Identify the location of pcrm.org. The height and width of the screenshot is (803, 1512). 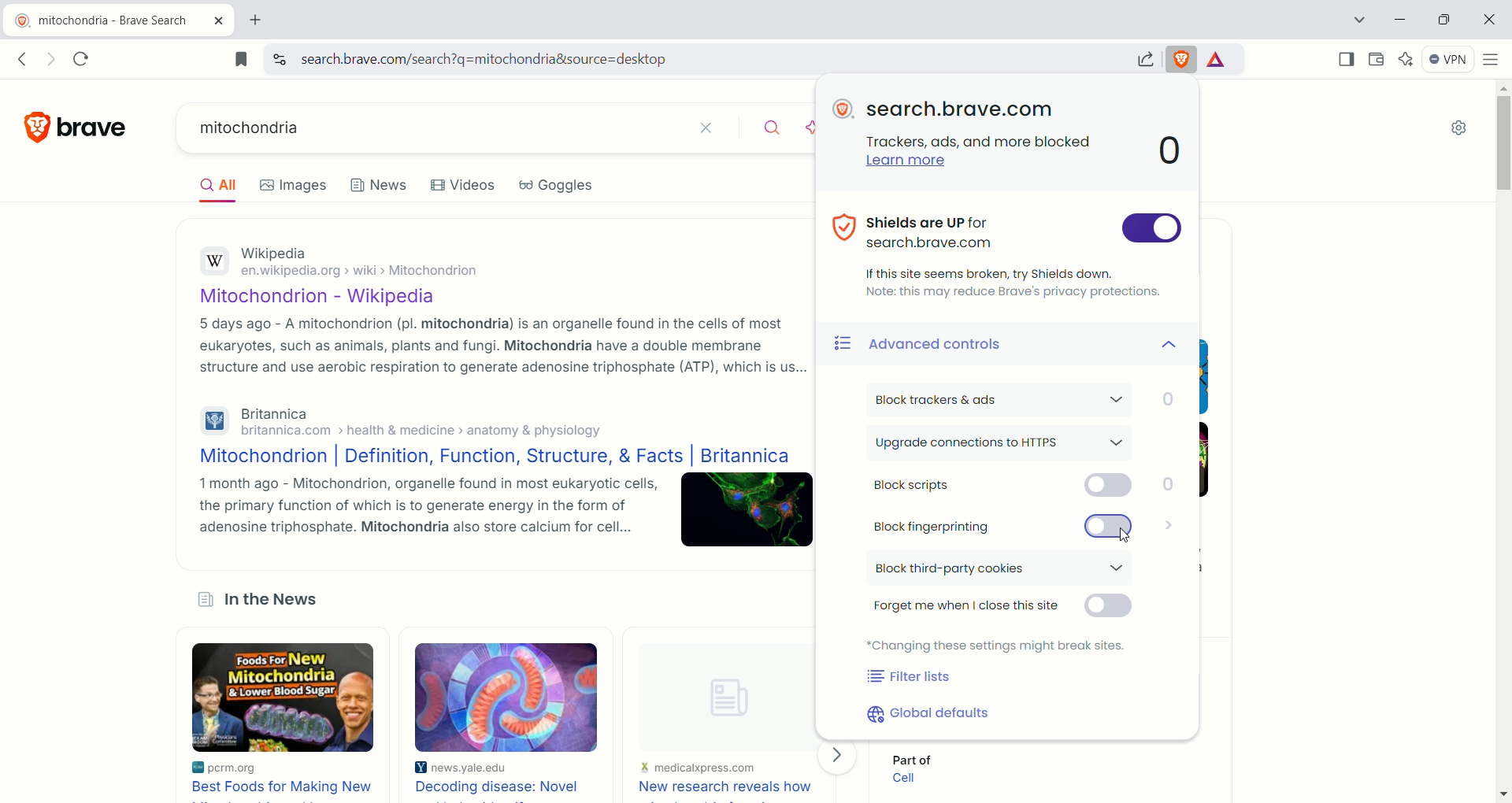
(249, 768).